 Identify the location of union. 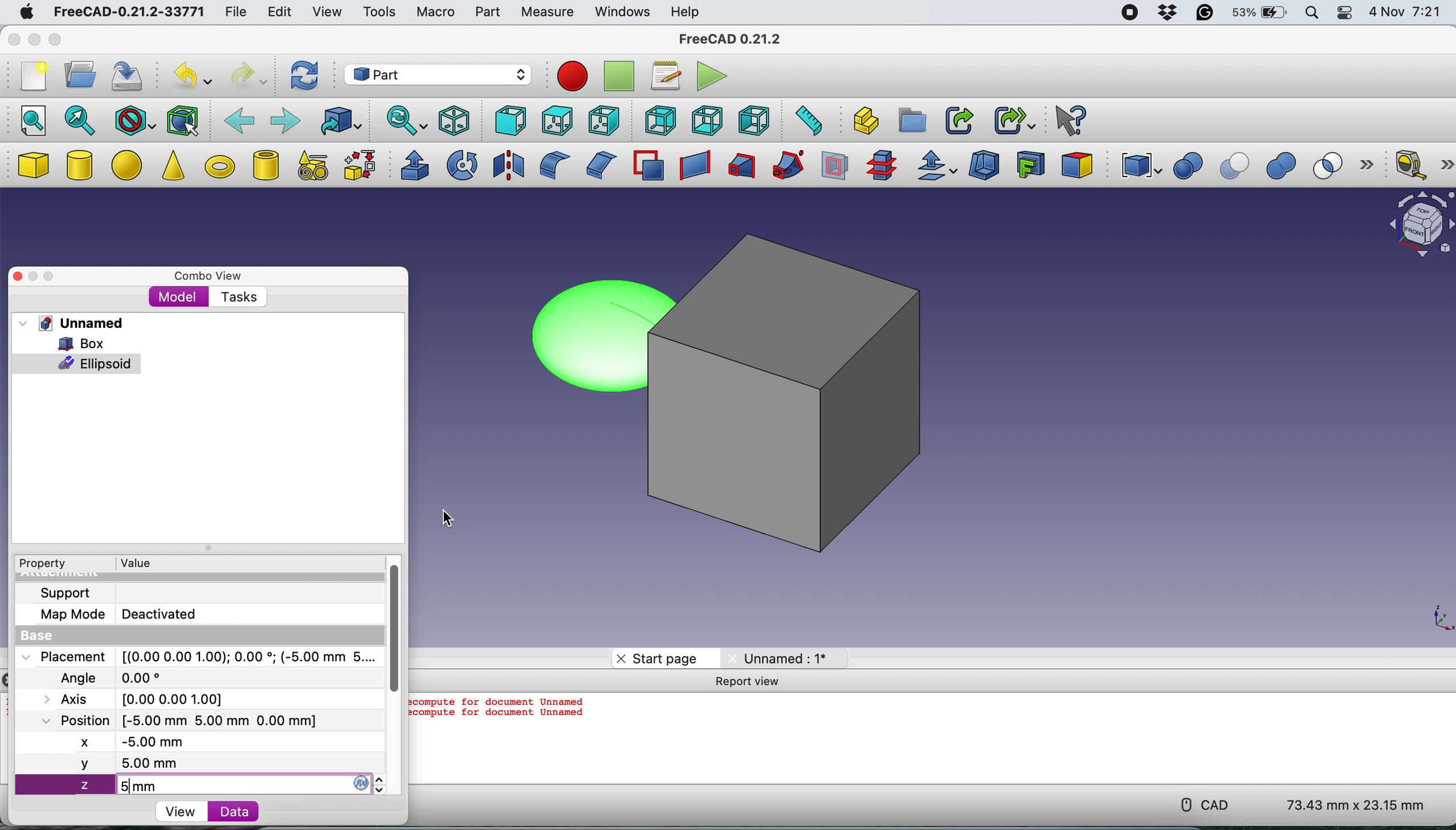
(1286, 166).